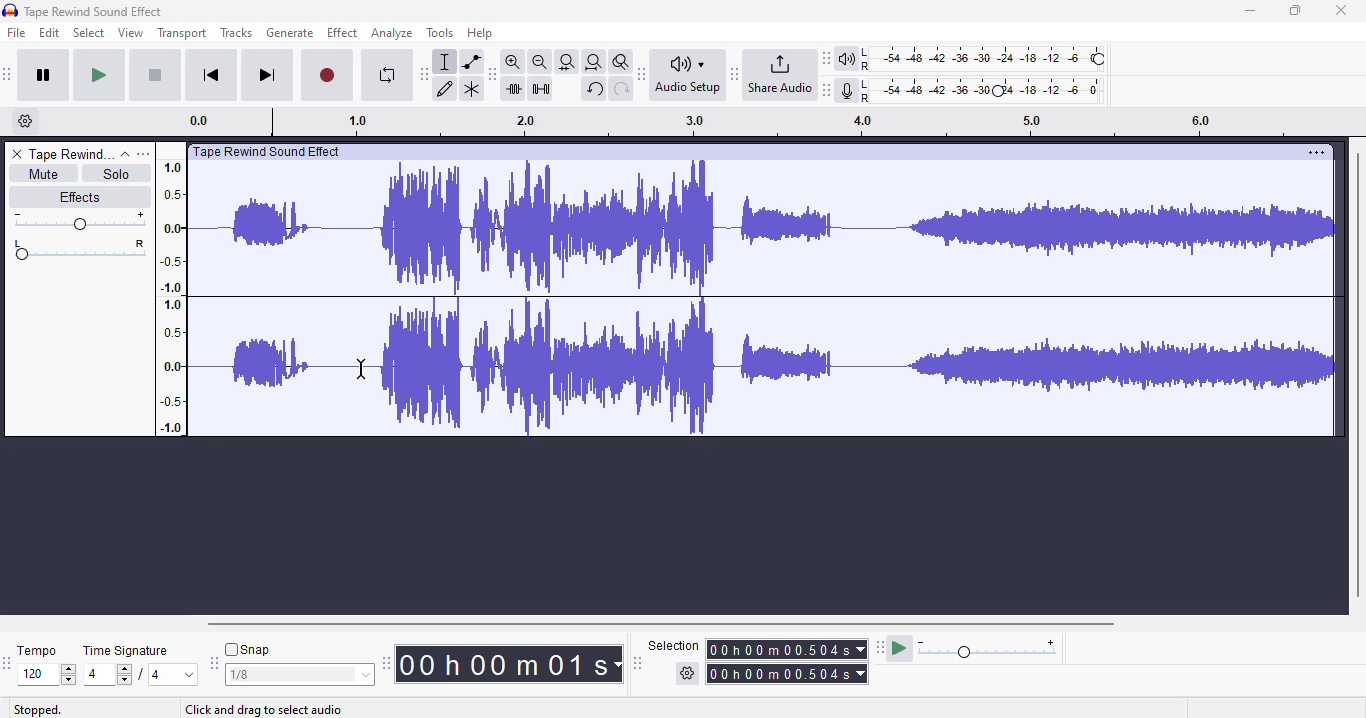  Describe the element at coordinates (735, 73) in the screenshot. I see `audacity share audio toolbar` at that location.